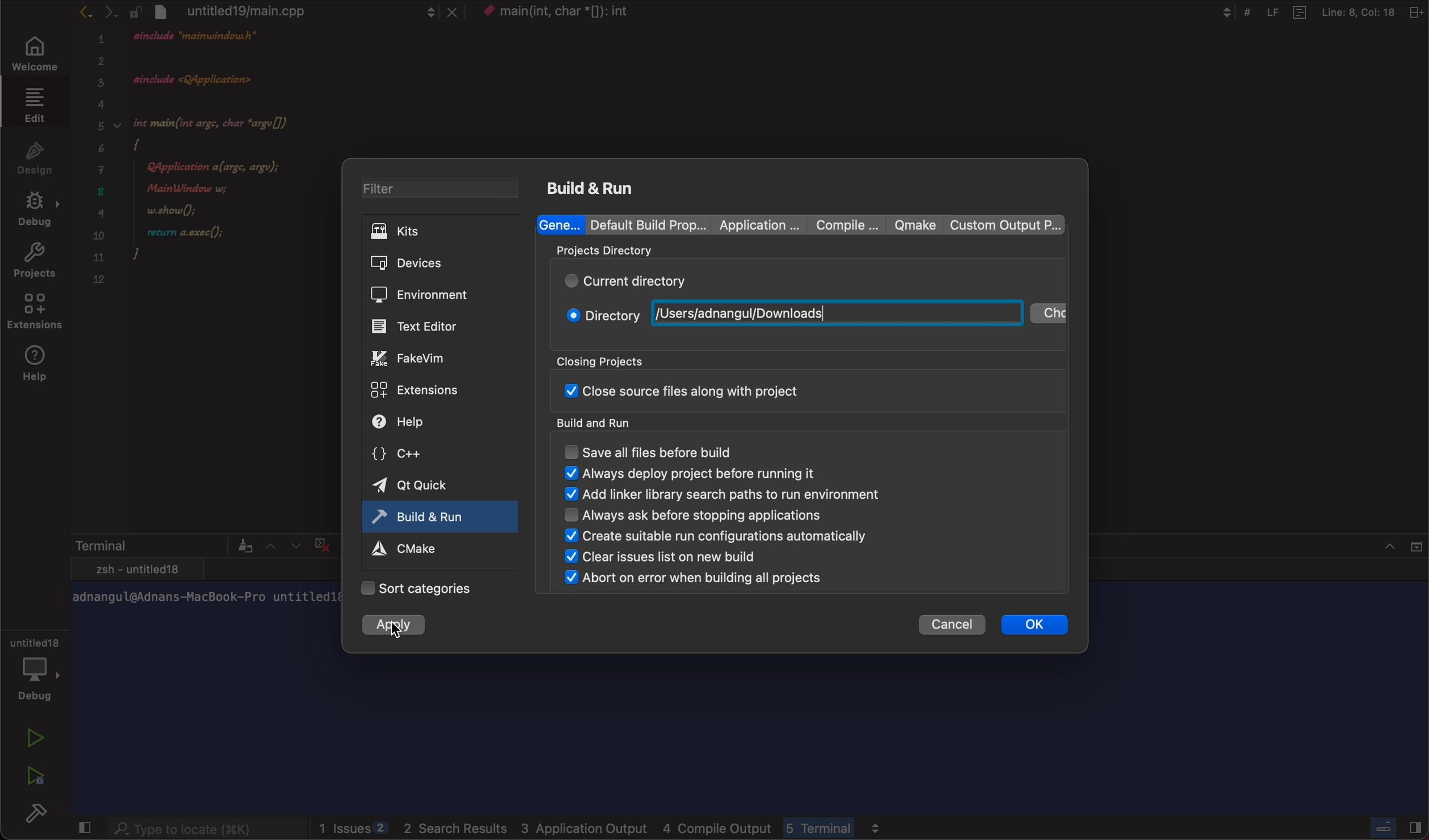 This screenshot has height=840, width=1429. I want to click on compile, so click(844, 224).